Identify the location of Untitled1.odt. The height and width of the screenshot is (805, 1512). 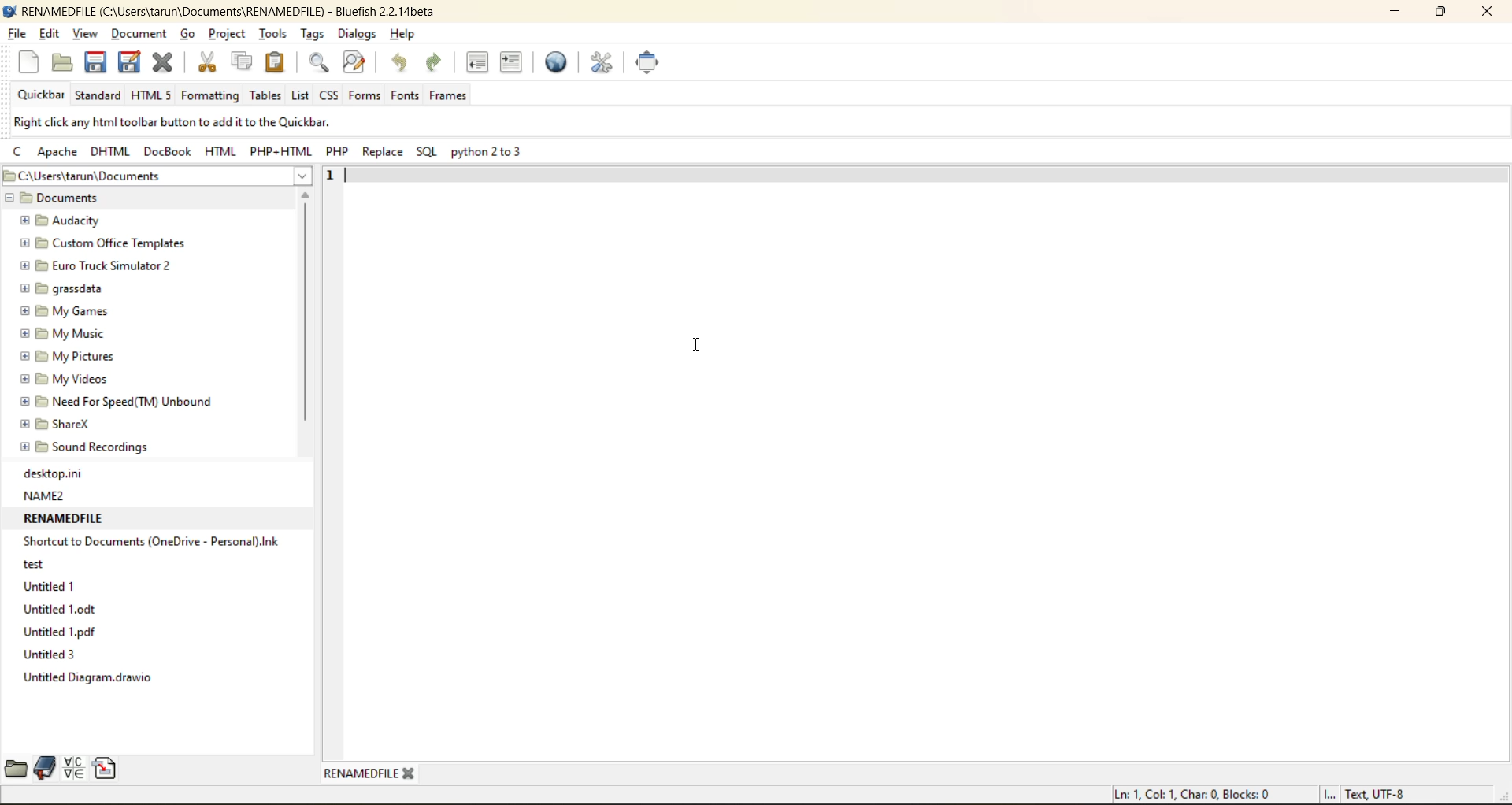
(65, 610).